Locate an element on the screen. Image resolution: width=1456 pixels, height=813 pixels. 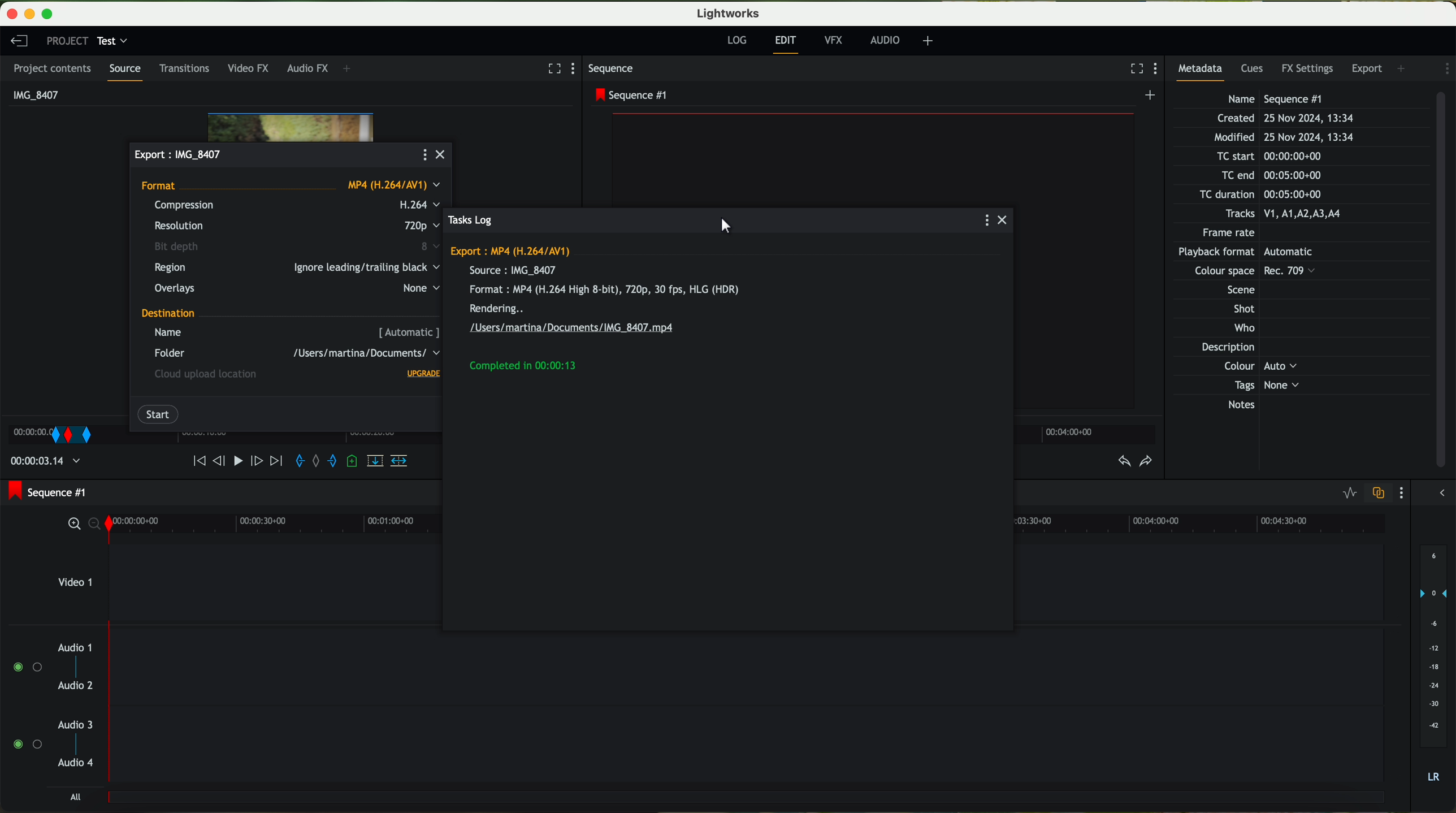
maximize is located at coordinates (54, 12).